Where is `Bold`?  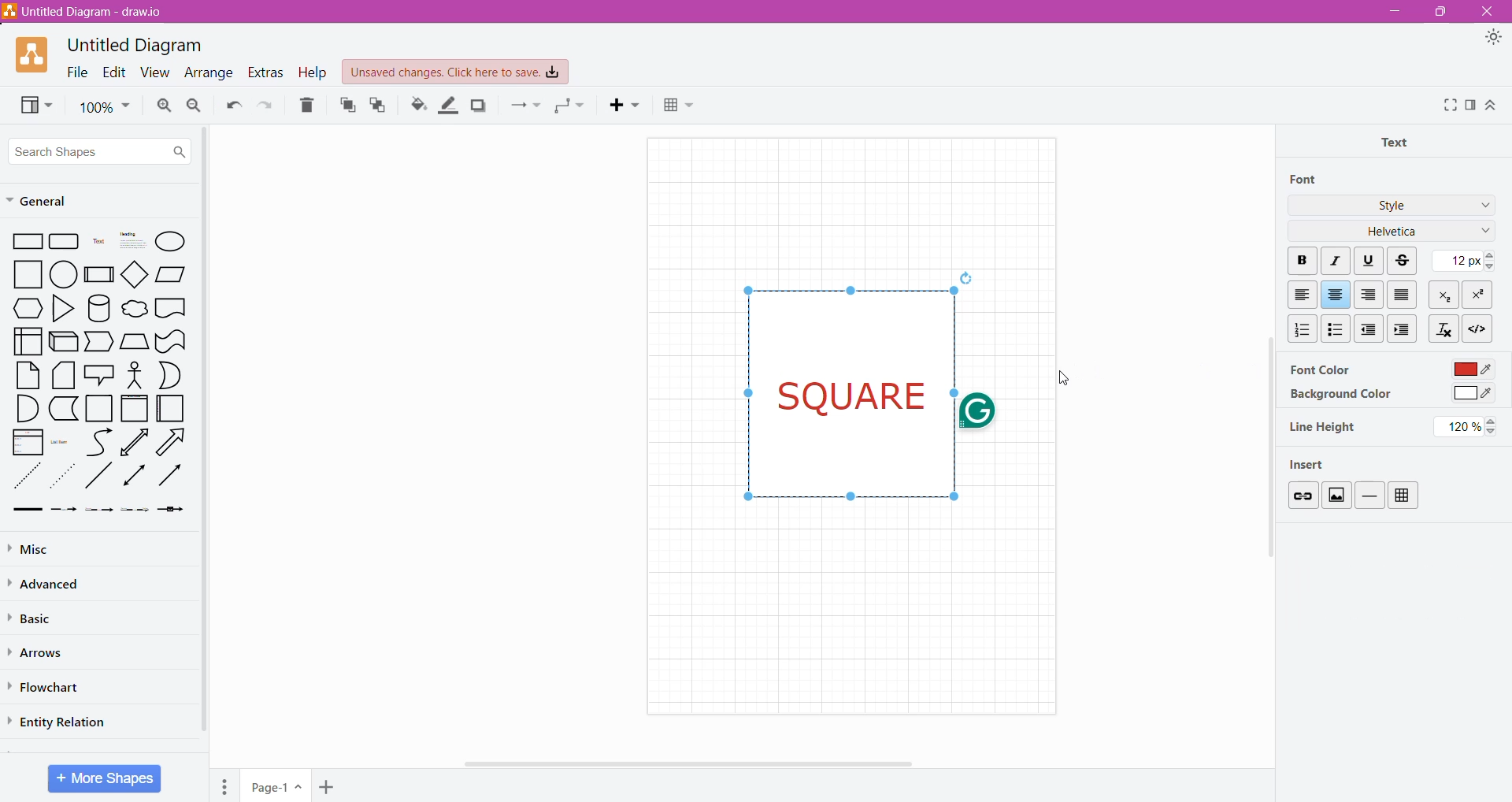
Bold is located at coordinates (1302, 262).